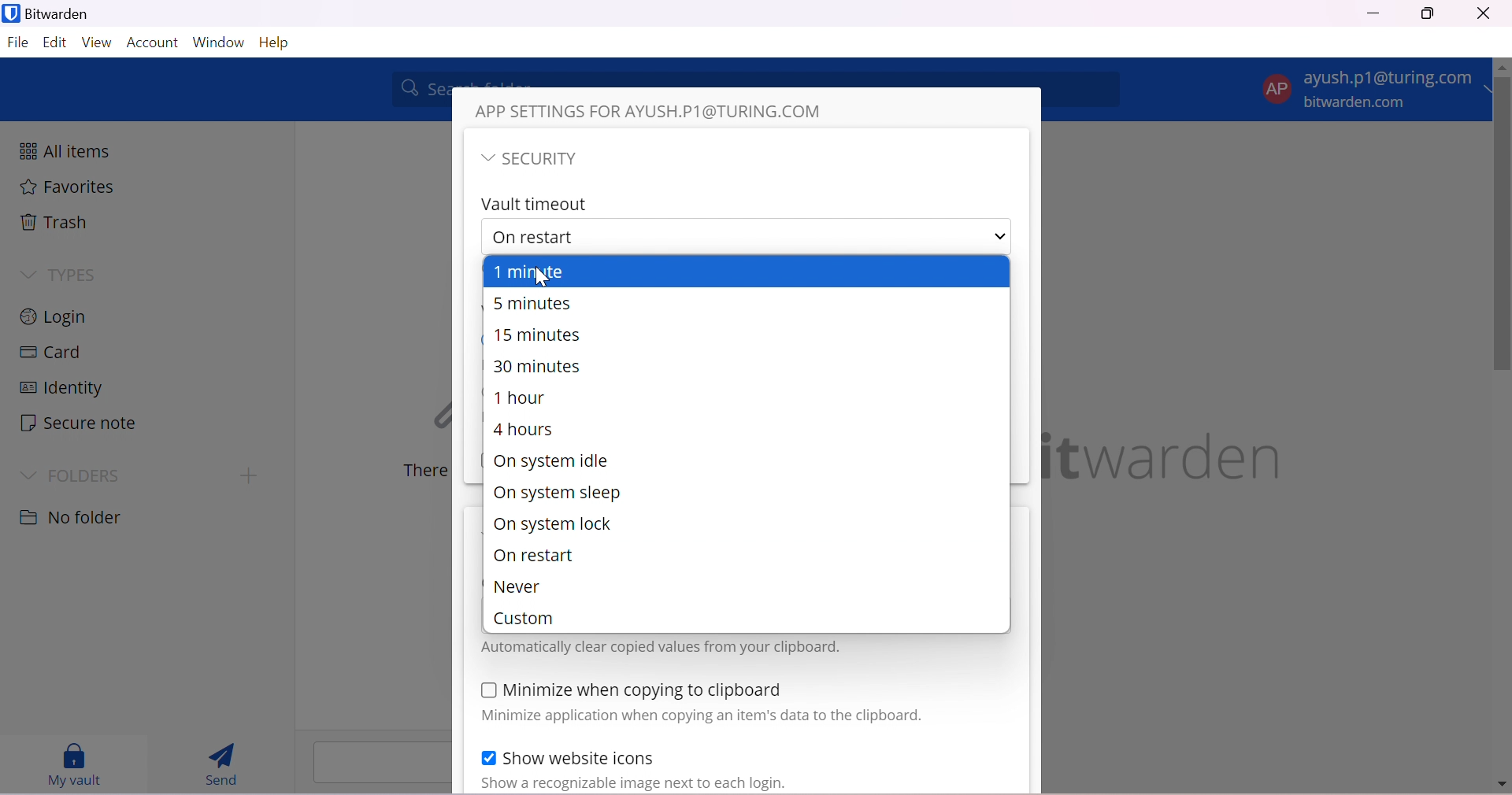  Describe the element at coordinates (78, 276) in the screenshot. I see `TYPES` at that location.